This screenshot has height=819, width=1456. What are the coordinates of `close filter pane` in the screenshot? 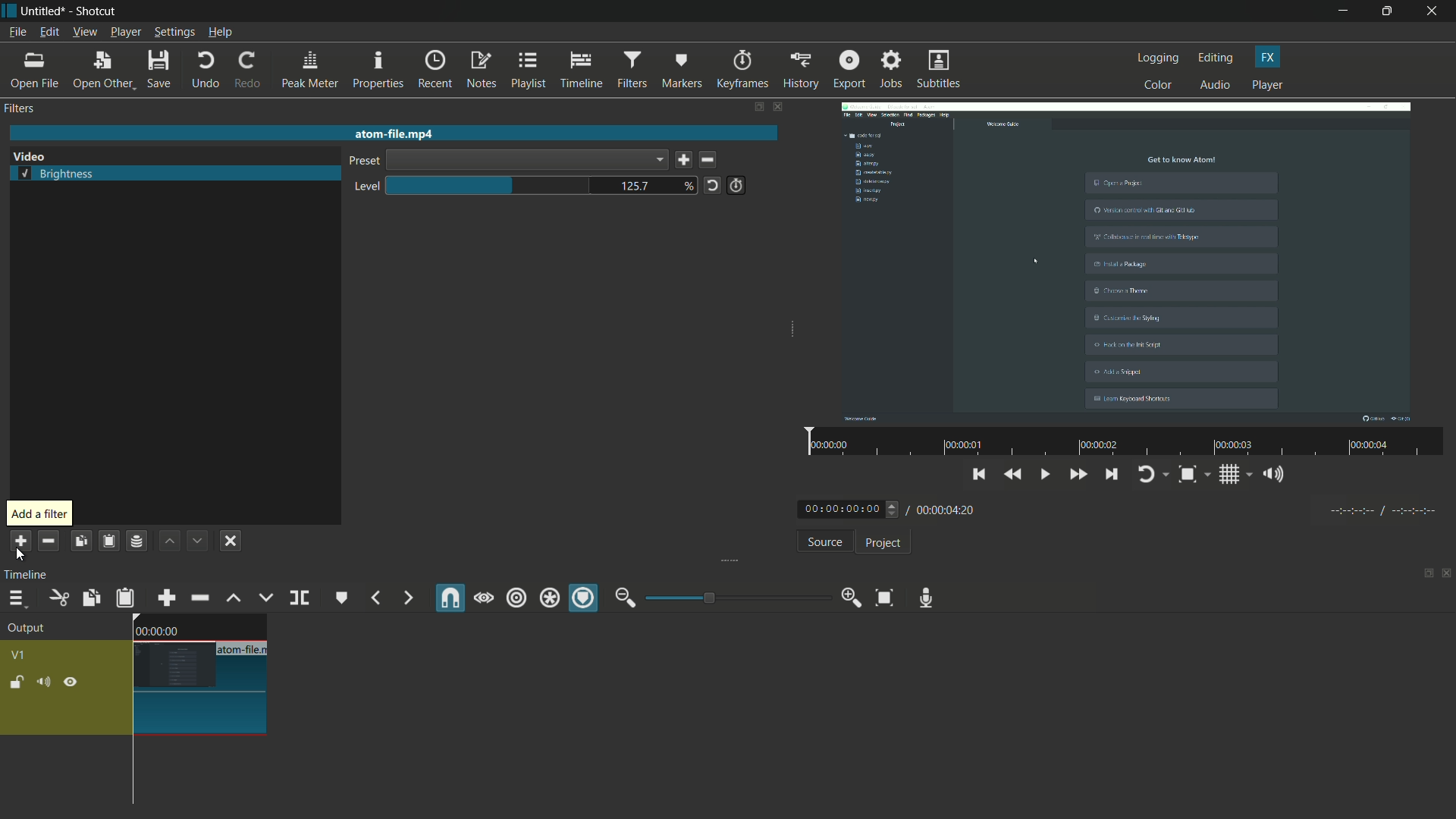 It's located at (780, 108).